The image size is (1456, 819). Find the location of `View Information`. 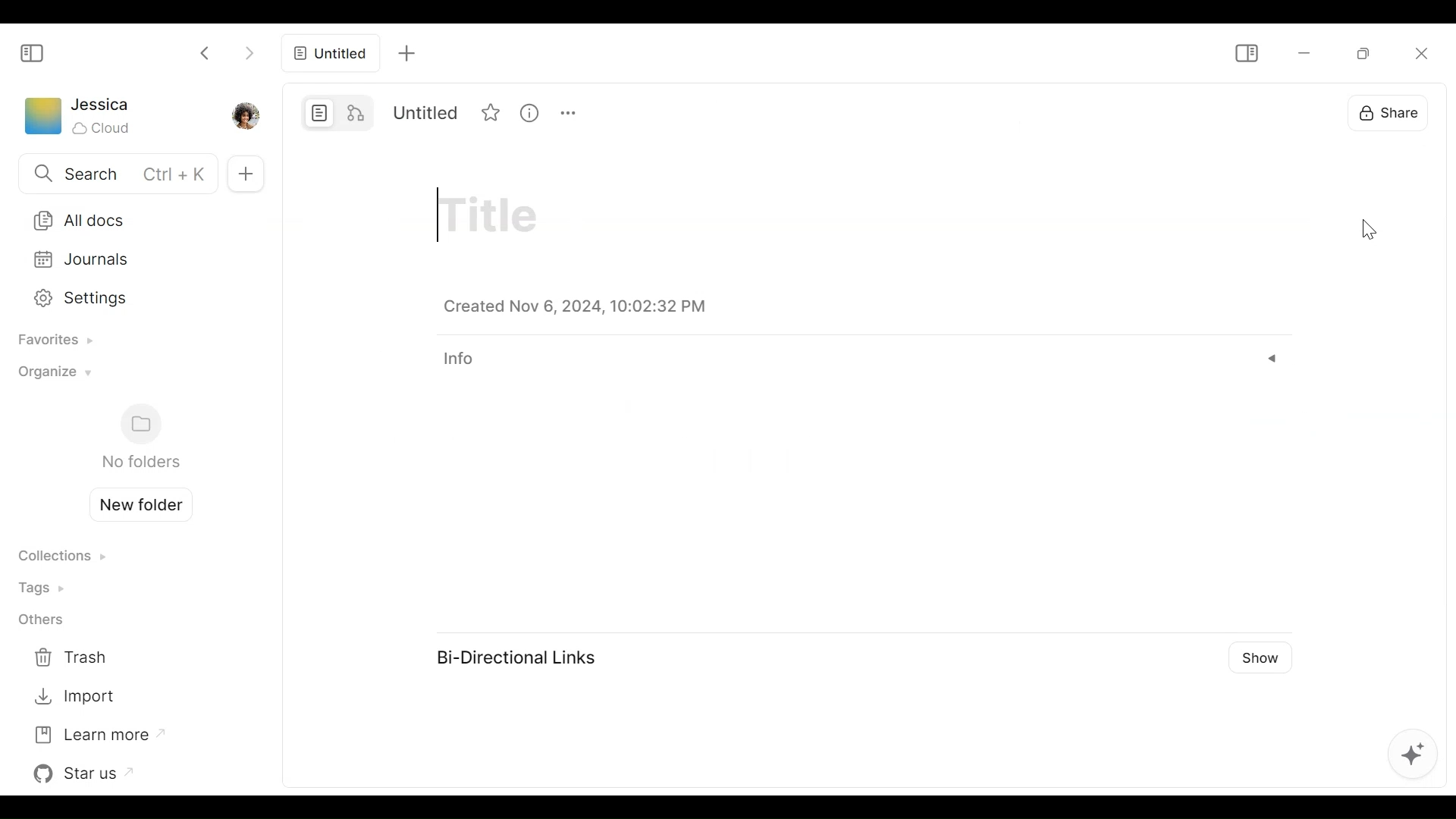

View Information is located at coordinates (529, 111).